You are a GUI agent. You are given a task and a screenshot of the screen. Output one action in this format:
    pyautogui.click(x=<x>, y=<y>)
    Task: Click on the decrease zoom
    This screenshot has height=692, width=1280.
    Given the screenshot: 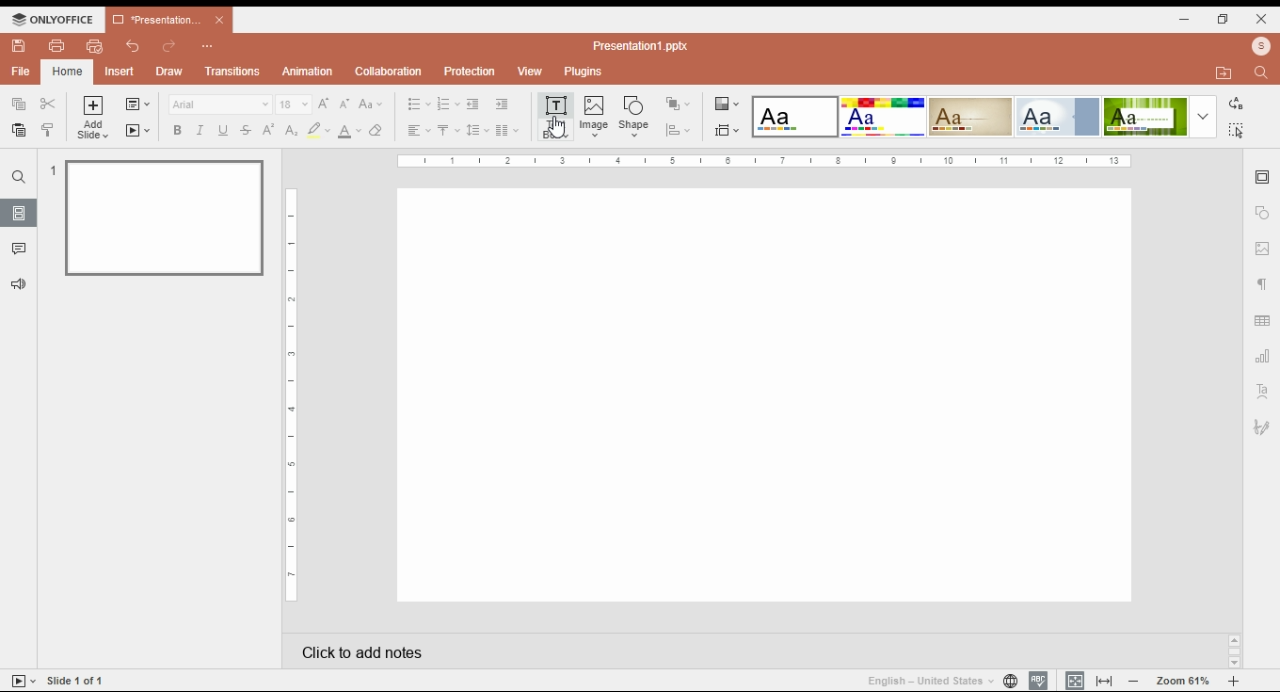 What is the action you would take?
    pyautogui.click(x=1134, y=680)
    